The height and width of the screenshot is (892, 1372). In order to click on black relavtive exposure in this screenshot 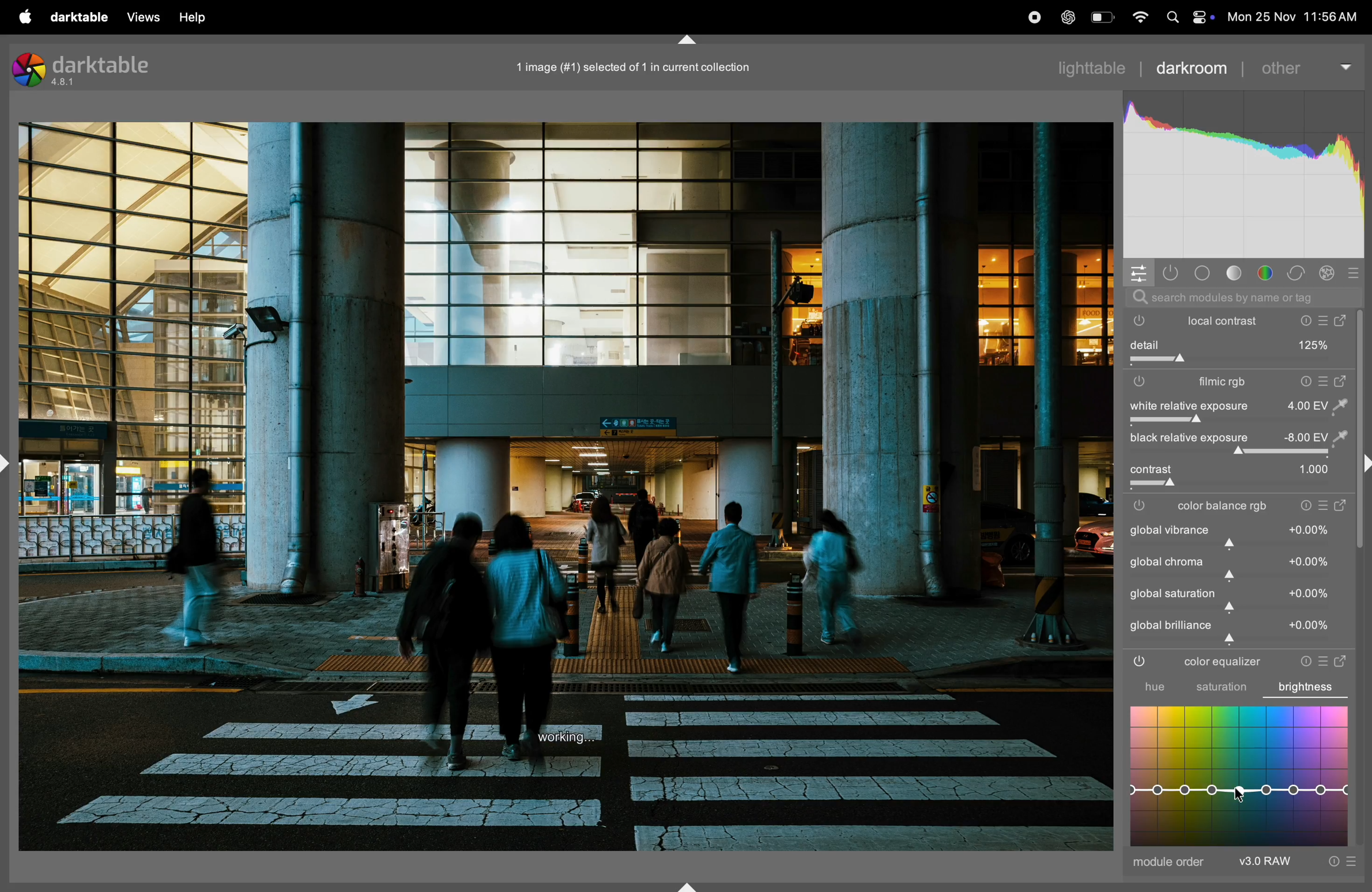, I will do `click(1186, 439)`.